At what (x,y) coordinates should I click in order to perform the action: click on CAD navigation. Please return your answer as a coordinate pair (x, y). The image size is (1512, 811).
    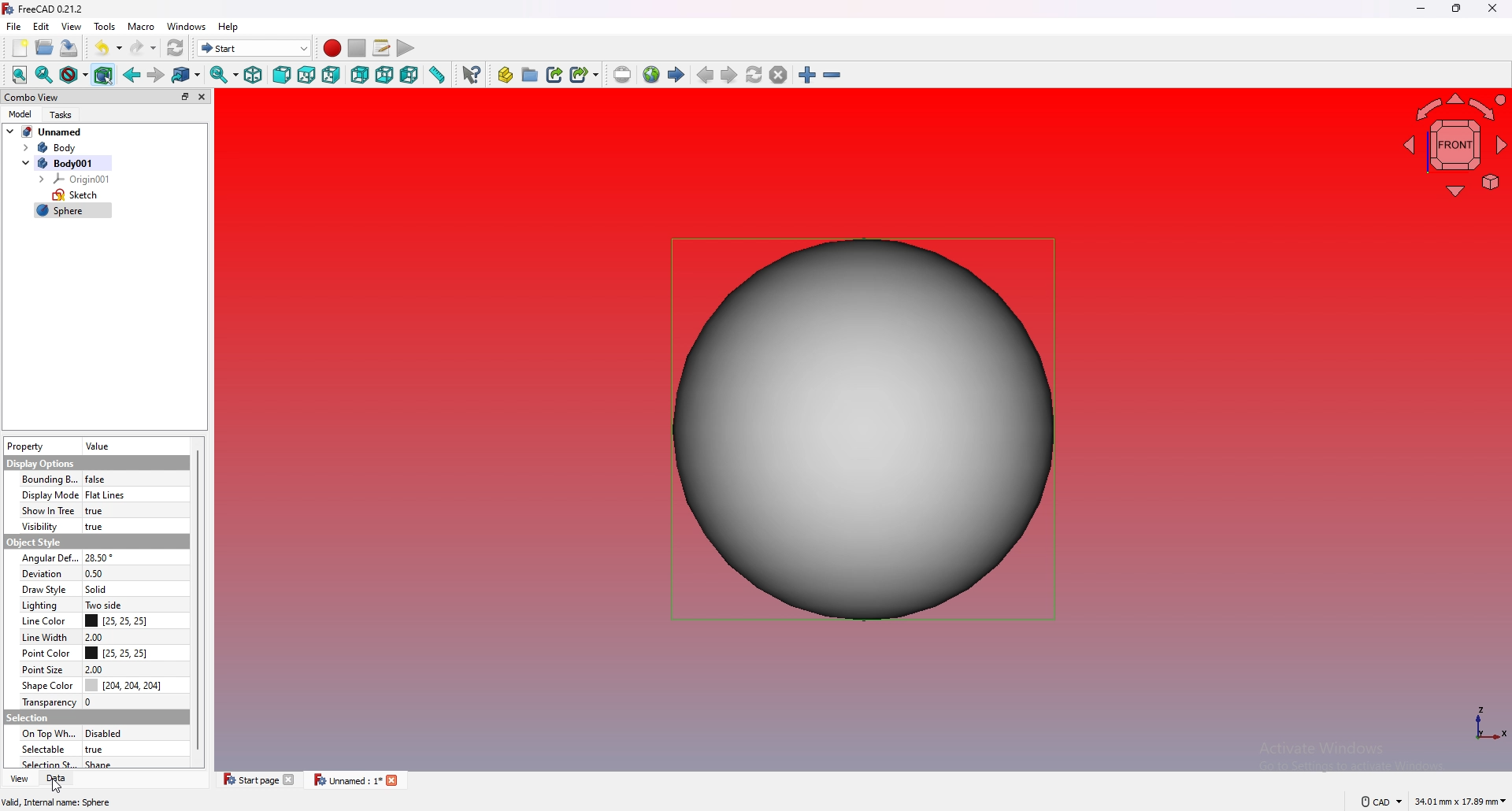
    Looking at the image, I should click on (1380, 801).